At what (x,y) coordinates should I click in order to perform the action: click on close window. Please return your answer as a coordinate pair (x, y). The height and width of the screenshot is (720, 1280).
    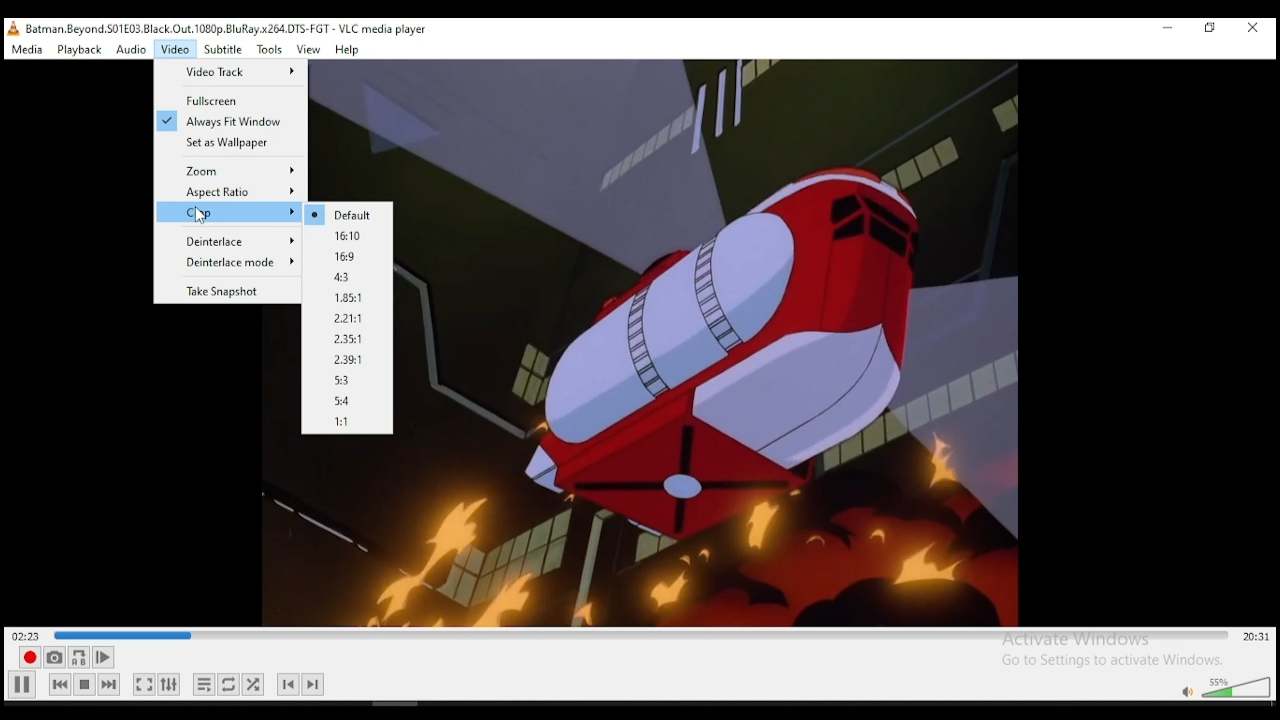
    Looking at the image, I should click on (1256, 33).